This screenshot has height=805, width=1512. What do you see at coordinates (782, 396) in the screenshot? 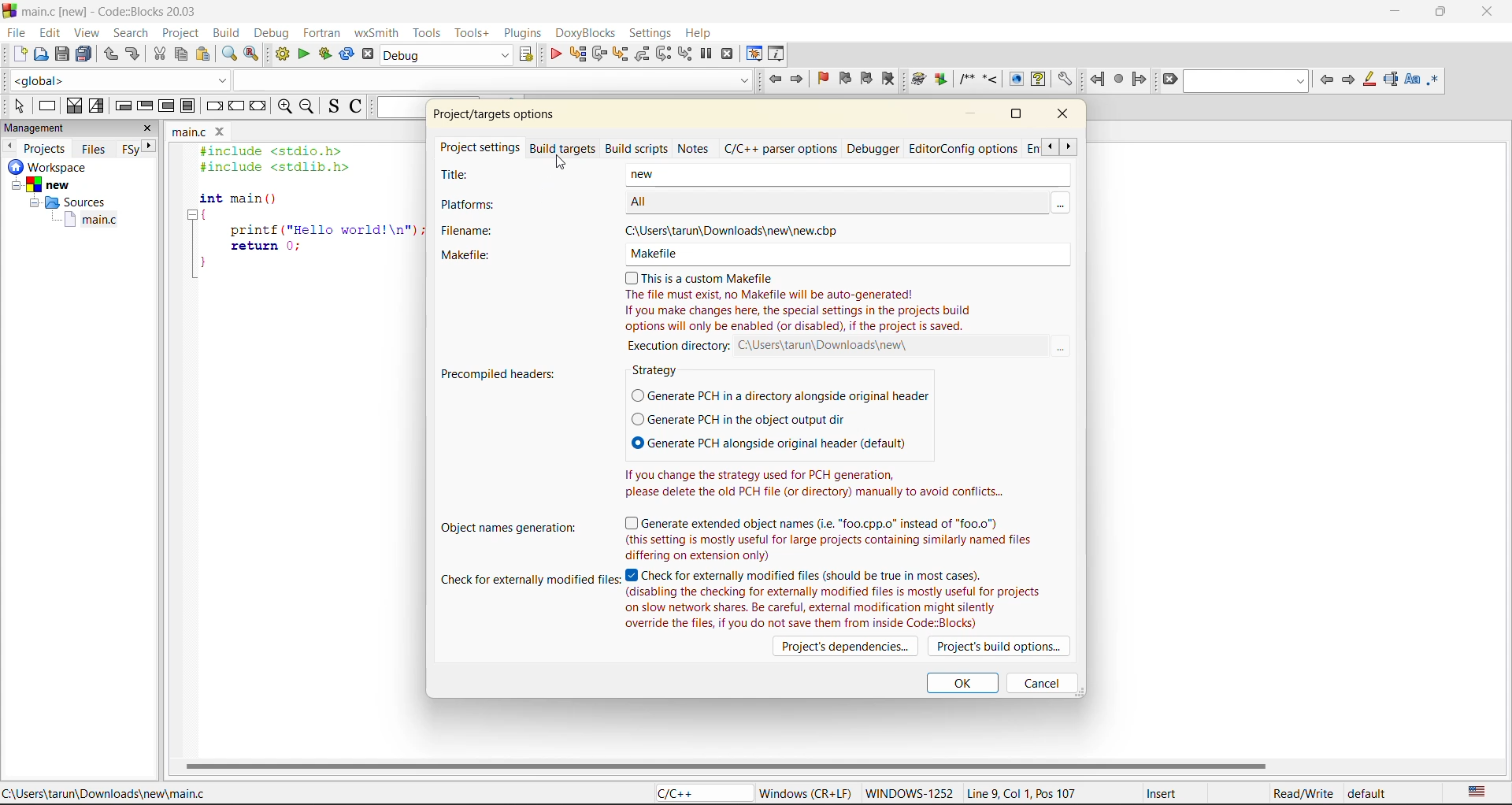
I see `Generate PCH in a directory alongside original header` at bounding box center [782, 396].